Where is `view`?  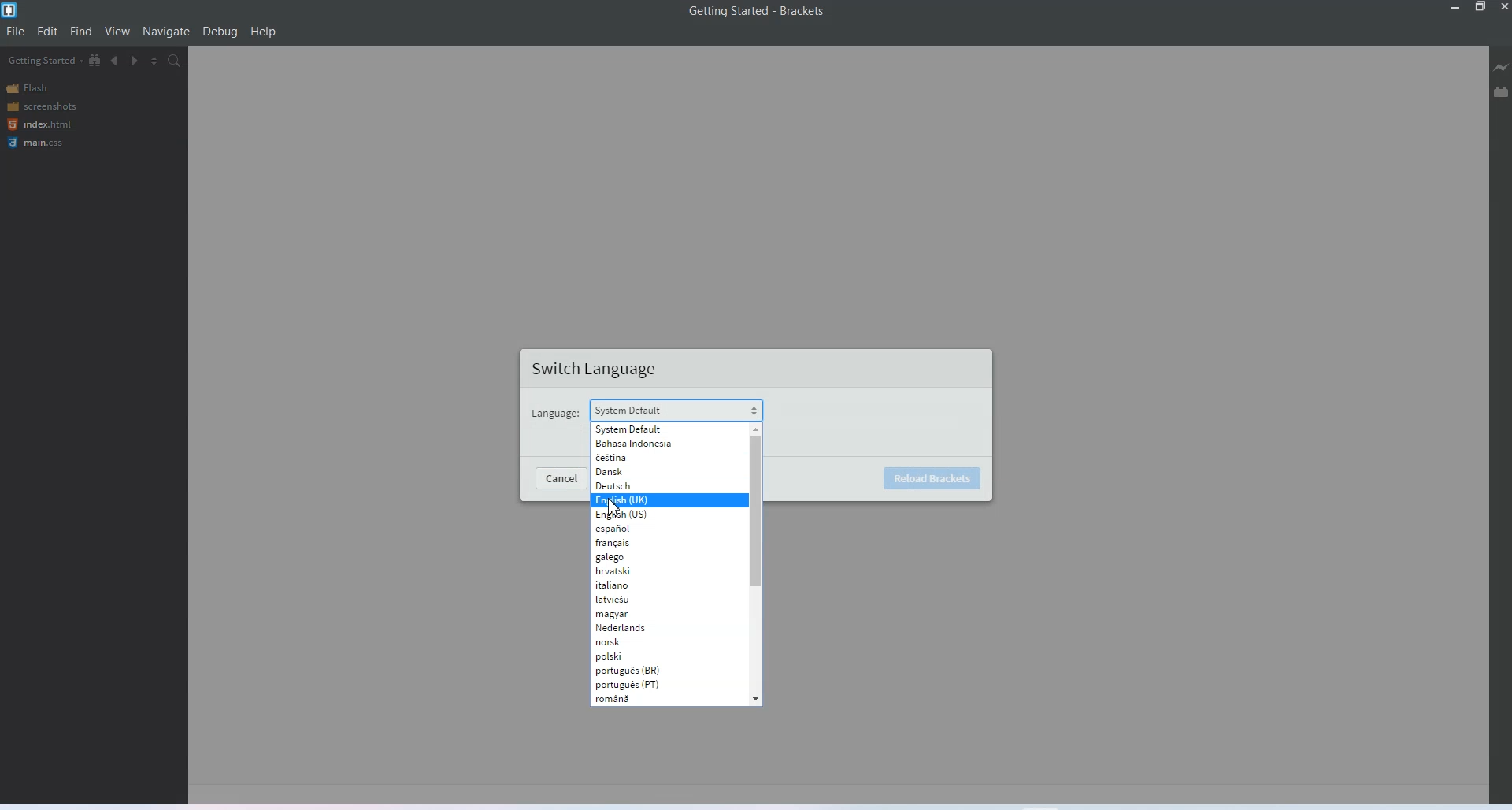
view is located at coordinates (118, 31).